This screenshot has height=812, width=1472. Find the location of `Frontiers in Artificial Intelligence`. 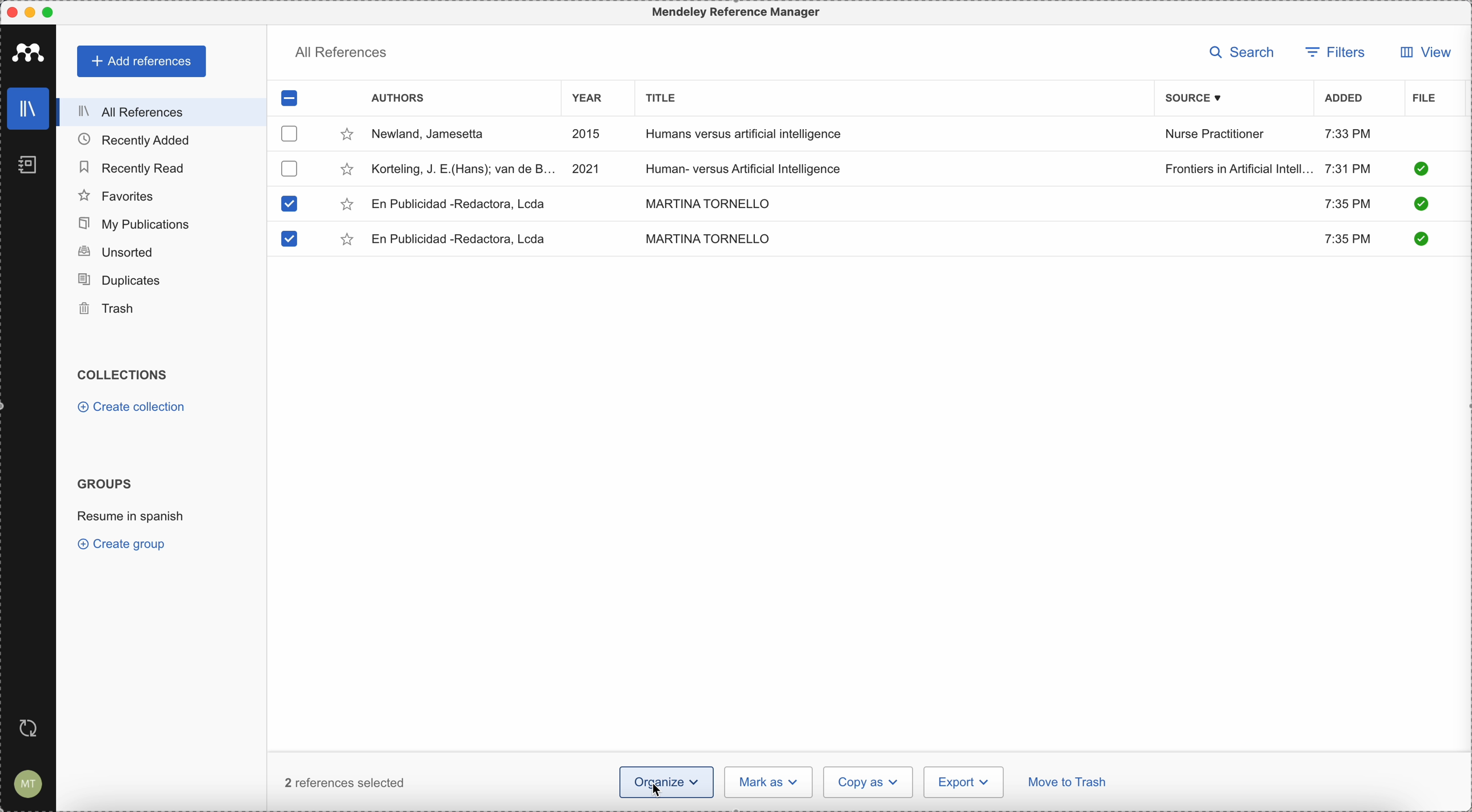

Frontiers in Artificial Intelligence is located at coordinates (1238, 169).